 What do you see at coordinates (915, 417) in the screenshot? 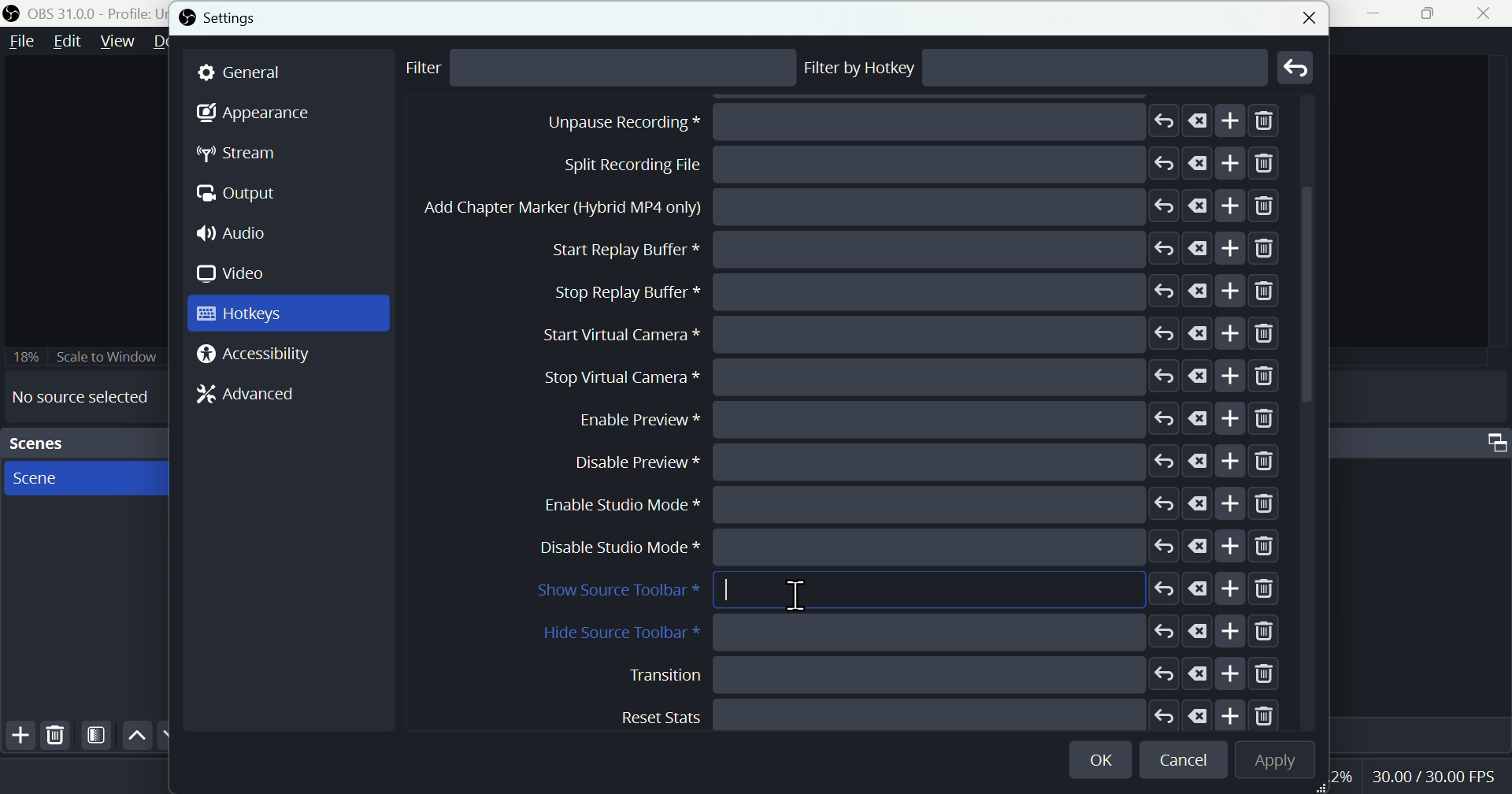
I see `Start replay buffer` at bounding box center [915, 417].